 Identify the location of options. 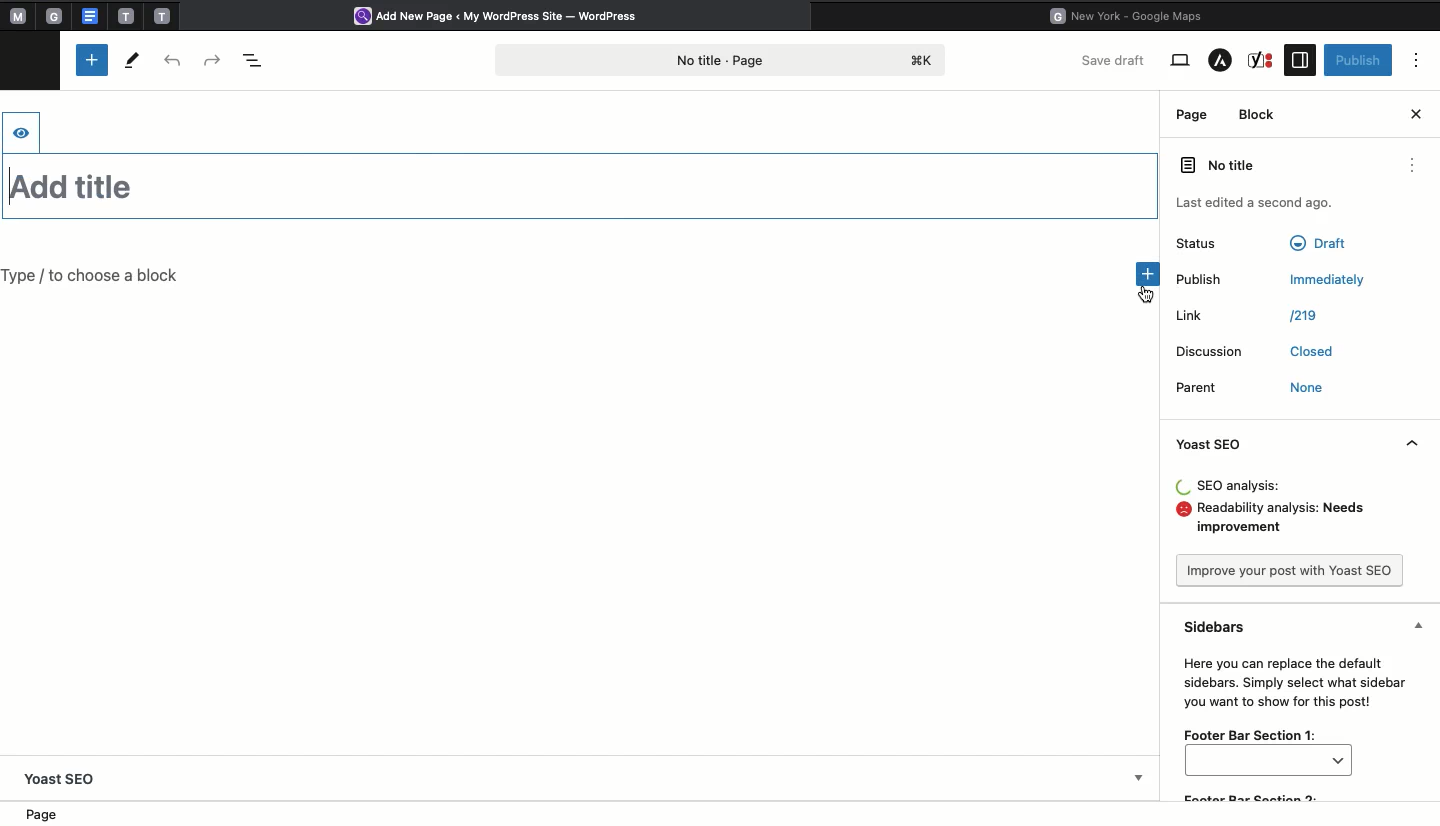
(1413, 167).